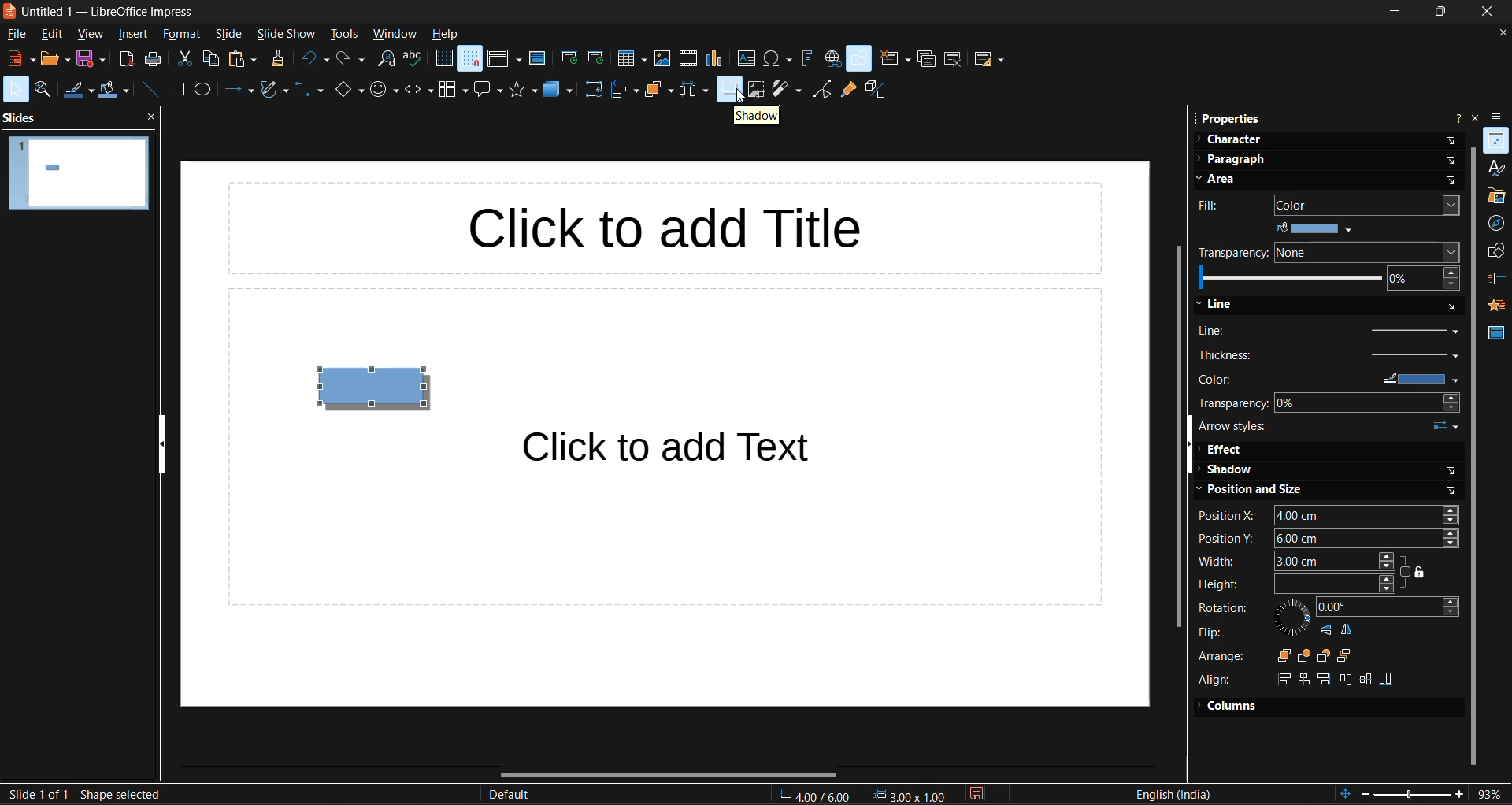  Describe the element at coordinates (202, 91) in the screenshot. I see `ellipse` at that location.